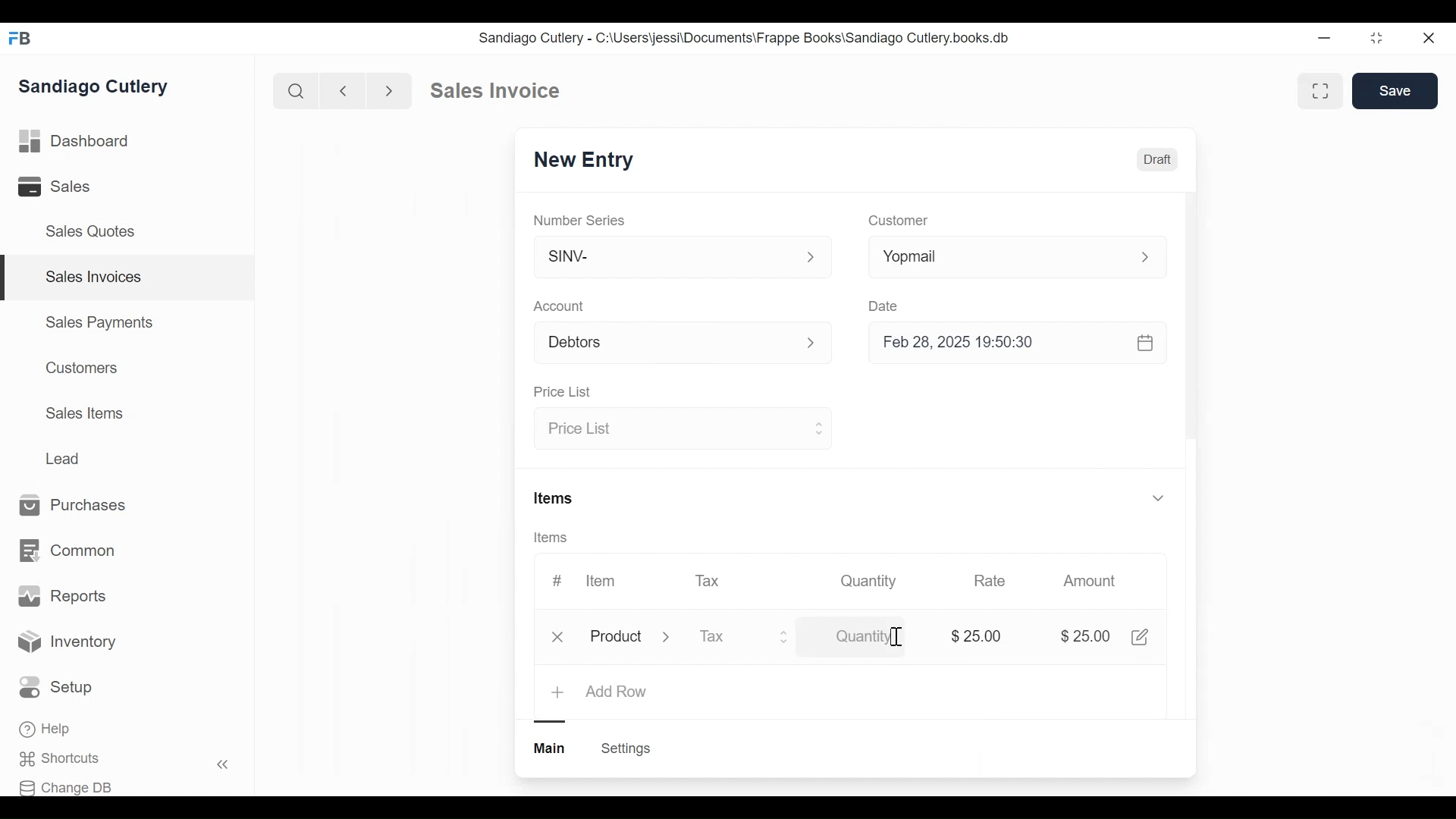 The height and width of the screenshot is (819, 1456). I want to click on fullscreen, so click(1323, 90).